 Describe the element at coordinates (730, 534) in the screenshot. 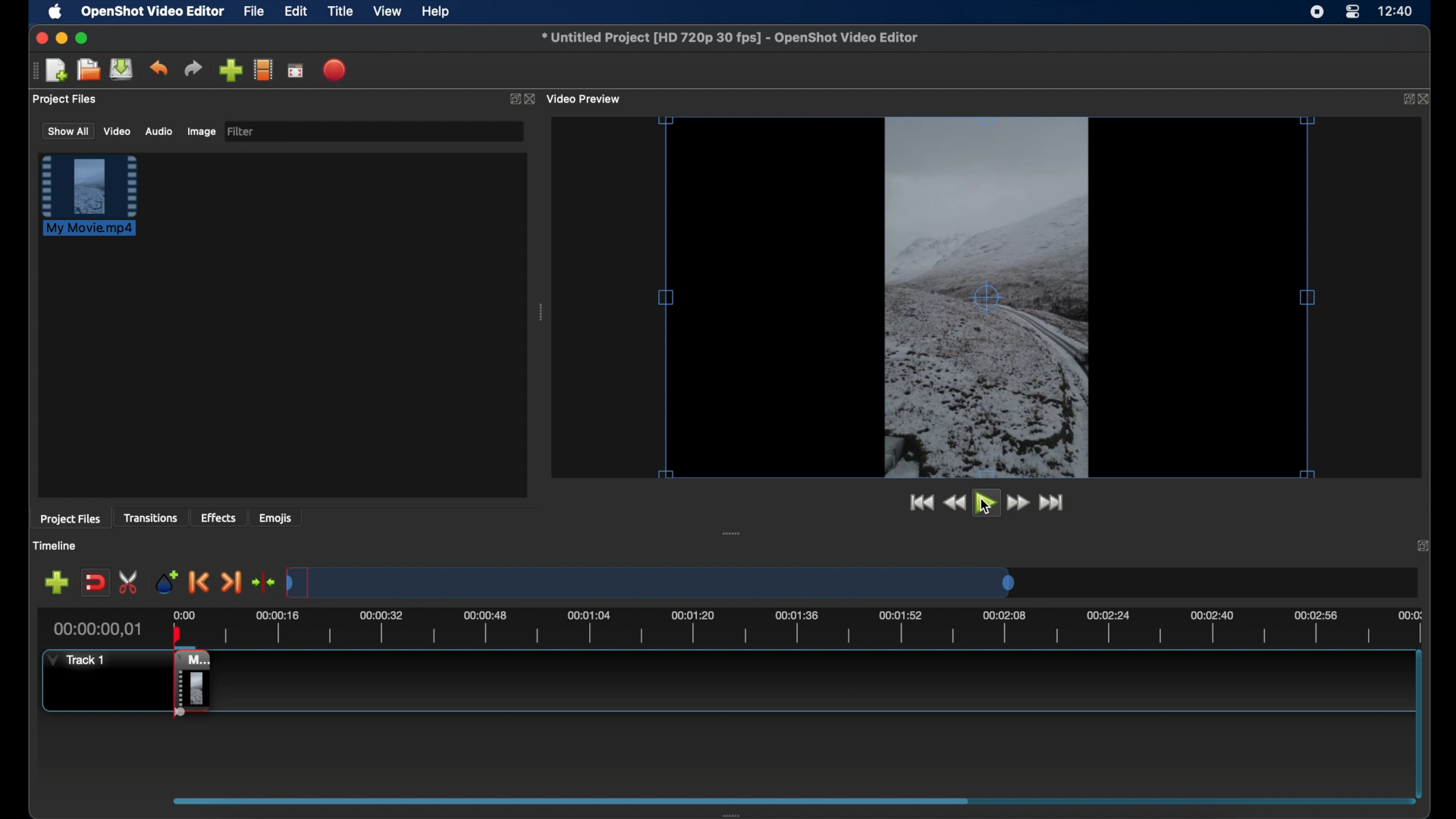

I see `drag handle` at that location.